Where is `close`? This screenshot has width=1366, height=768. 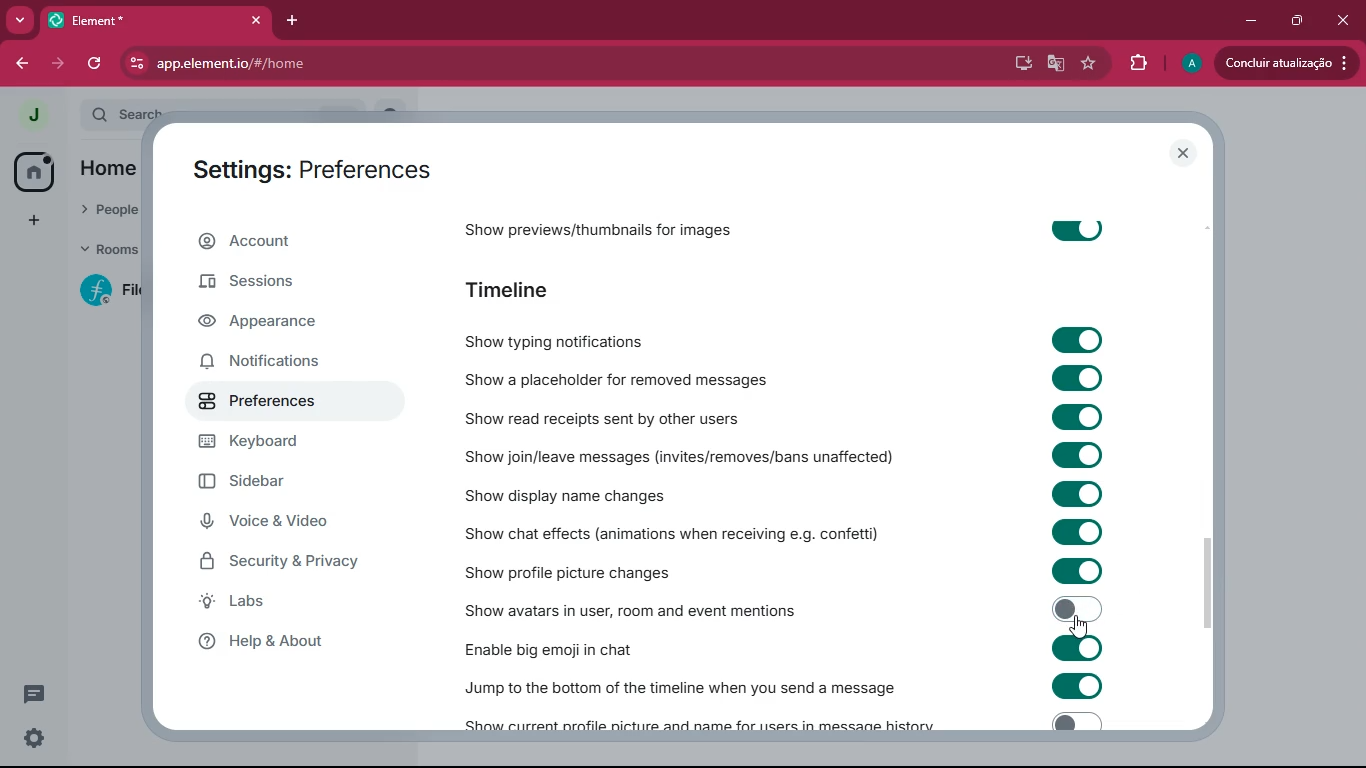 close is located at coordinates (1343, 21).